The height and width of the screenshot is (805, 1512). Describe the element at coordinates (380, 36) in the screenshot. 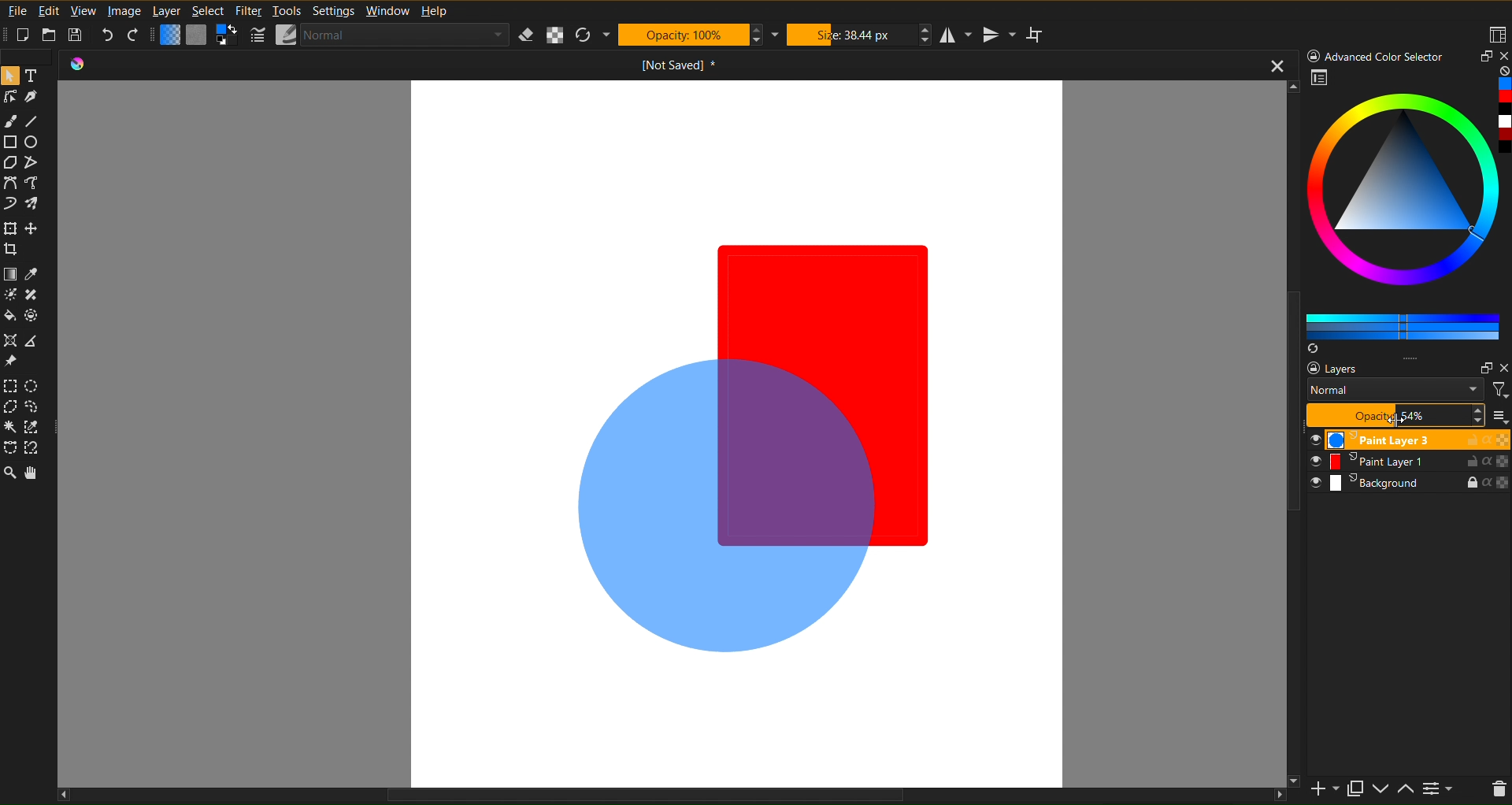

I see `Brush Settings` at that location.